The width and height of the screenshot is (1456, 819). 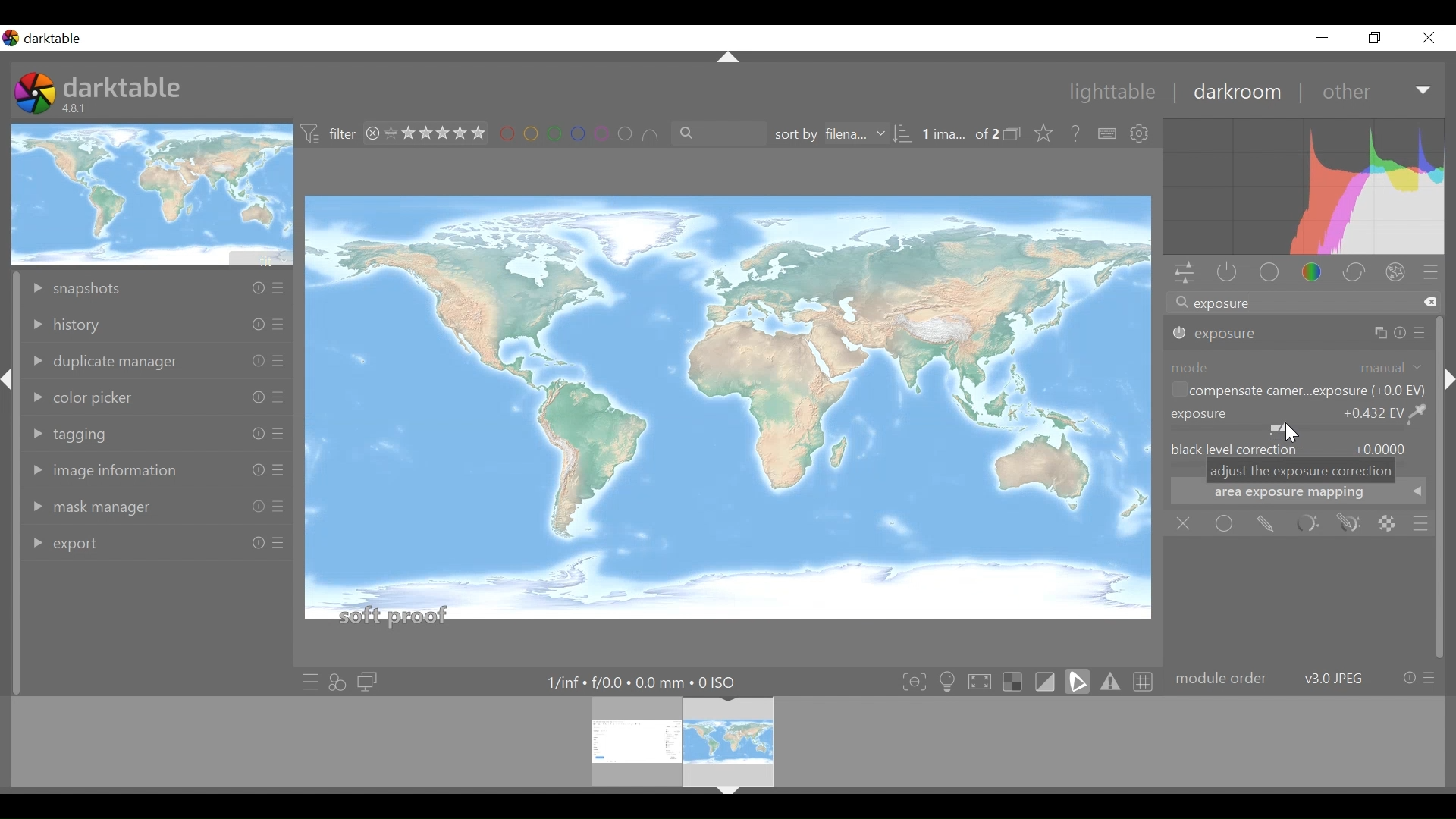 I want to click on , so click(x=249, y=396).